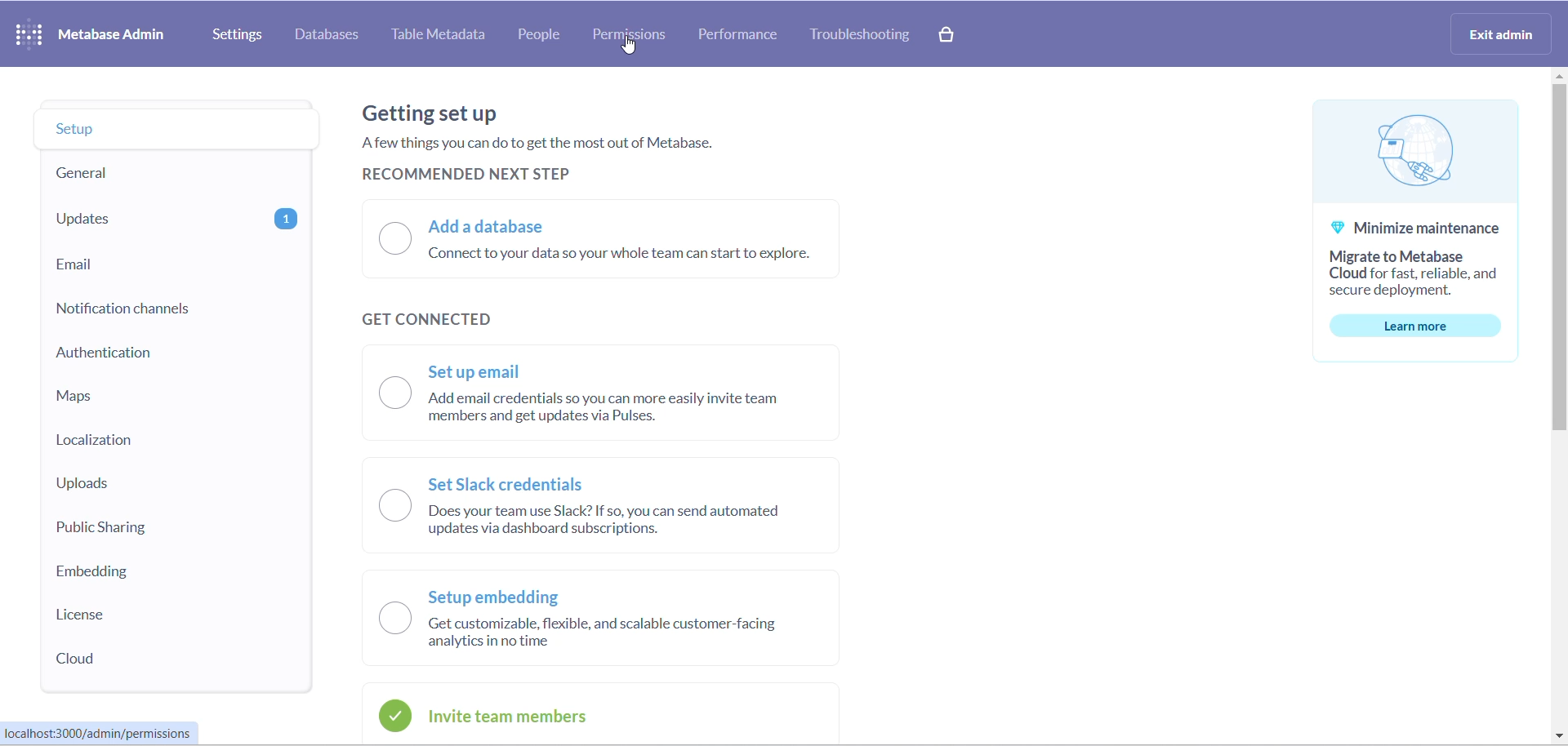 This screenshot has width=1568, height=746. Describe the element at coordinates (155, 442) in the screenshot. I see `localization` at that location.